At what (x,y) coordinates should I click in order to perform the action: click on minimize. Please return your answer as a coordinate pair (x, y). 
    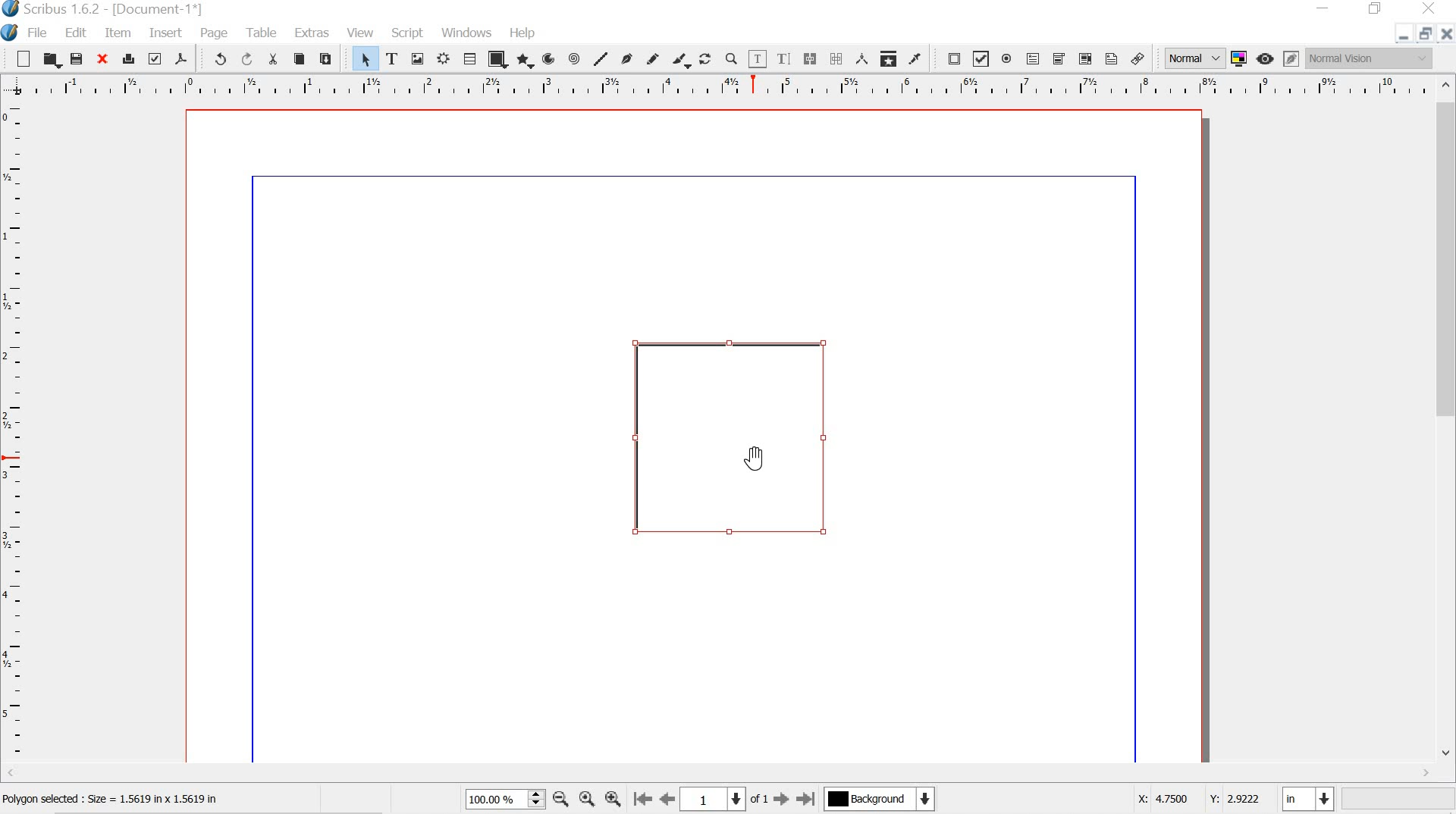
    Looking at the image, I should click on (1325, 9).